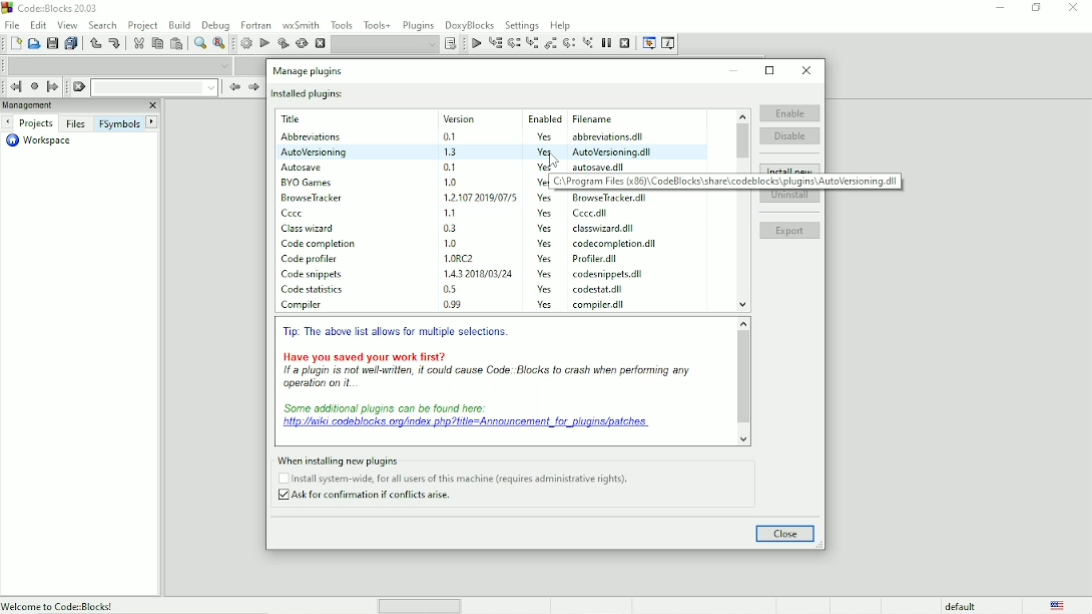 This screenshot has width=1092, height=614. I want to click on Cccc.dll, so click(593, 214).